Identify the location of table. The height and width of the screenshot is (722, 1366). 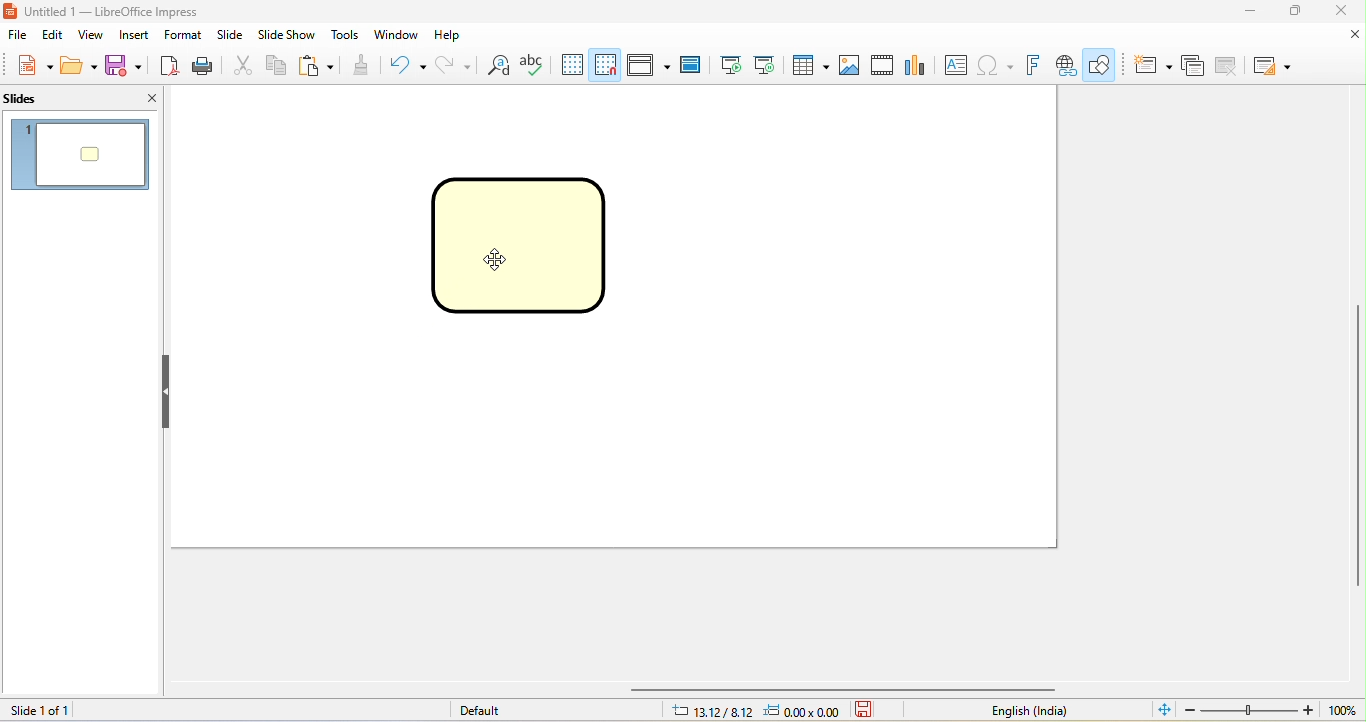
(808, 65).